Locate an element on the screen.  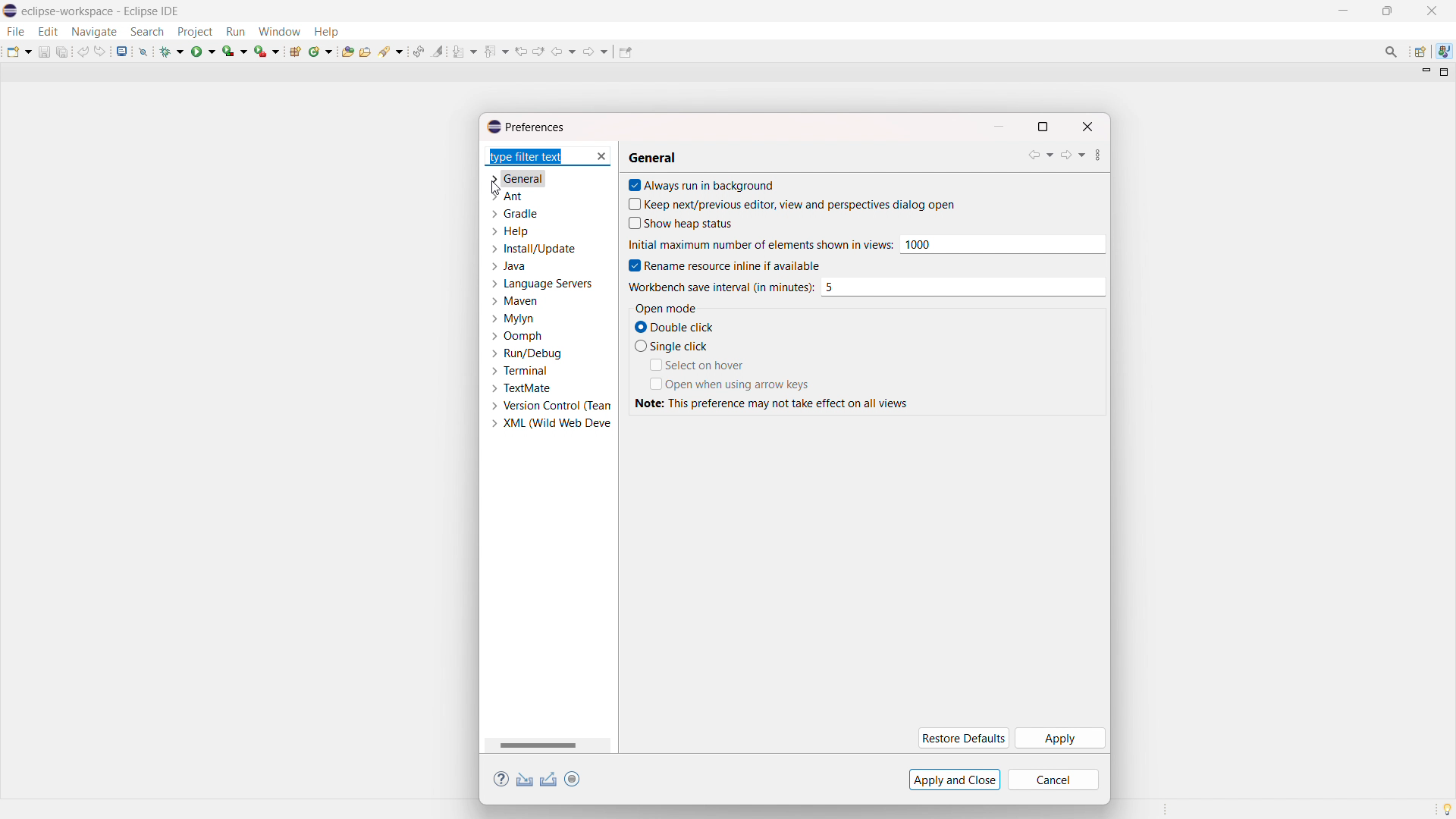
Checkbox is located at coordinates (631, 265).